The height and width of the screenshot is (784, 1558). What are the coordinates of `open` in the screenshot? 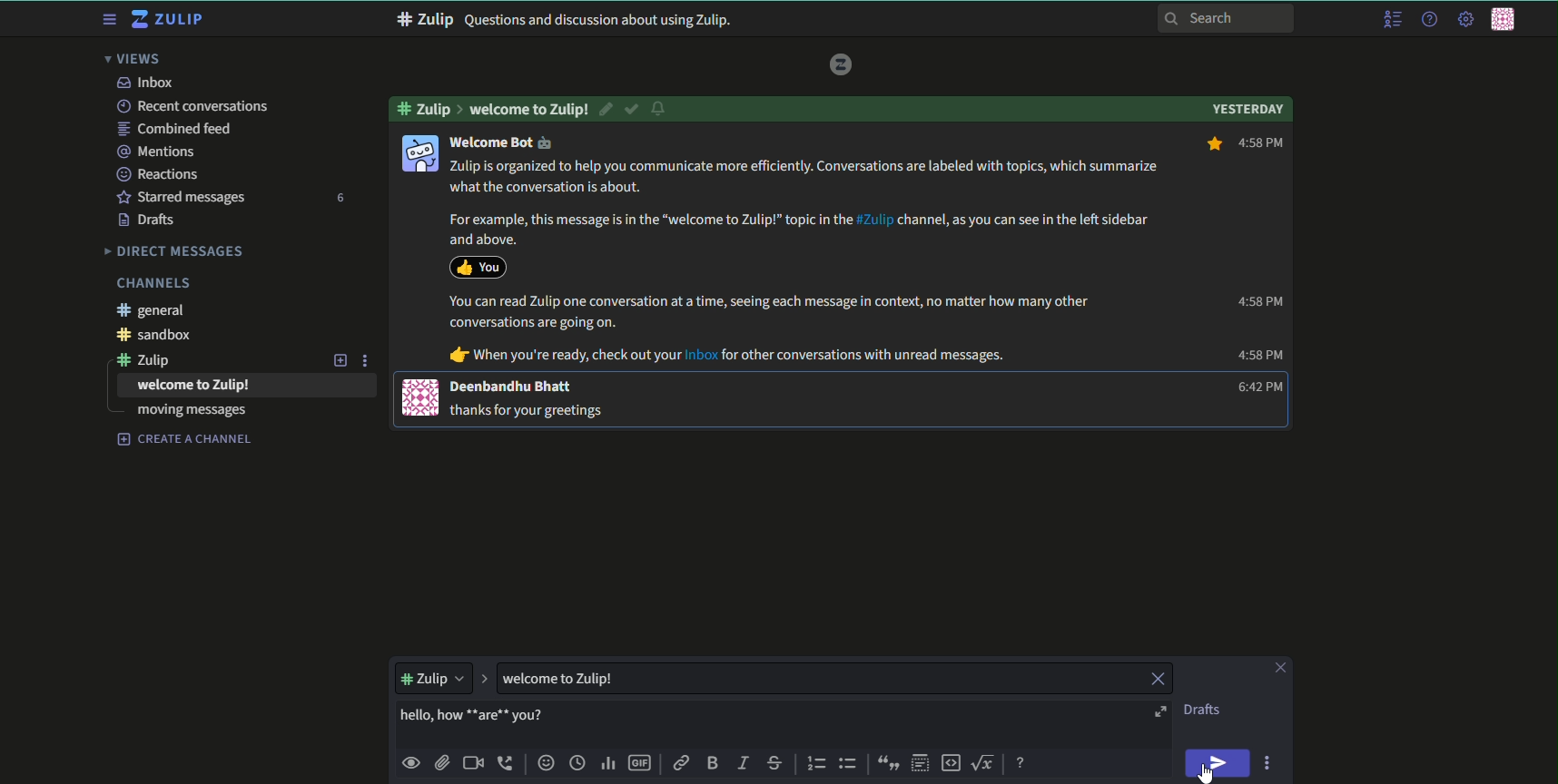 It's located at (1159, 712).